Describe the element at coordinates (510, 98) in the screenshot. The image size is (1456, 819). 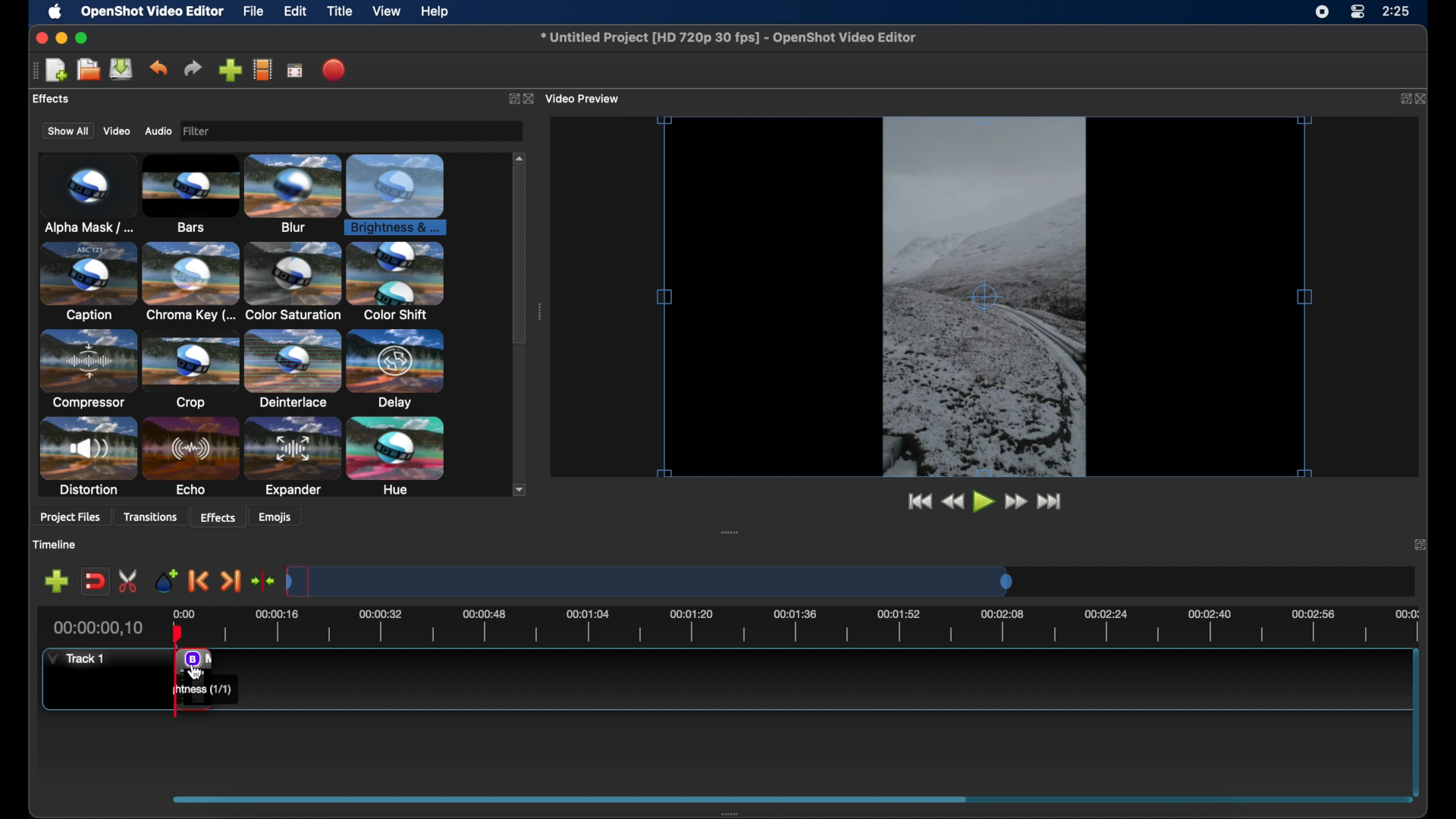
I see `expand` at that location.